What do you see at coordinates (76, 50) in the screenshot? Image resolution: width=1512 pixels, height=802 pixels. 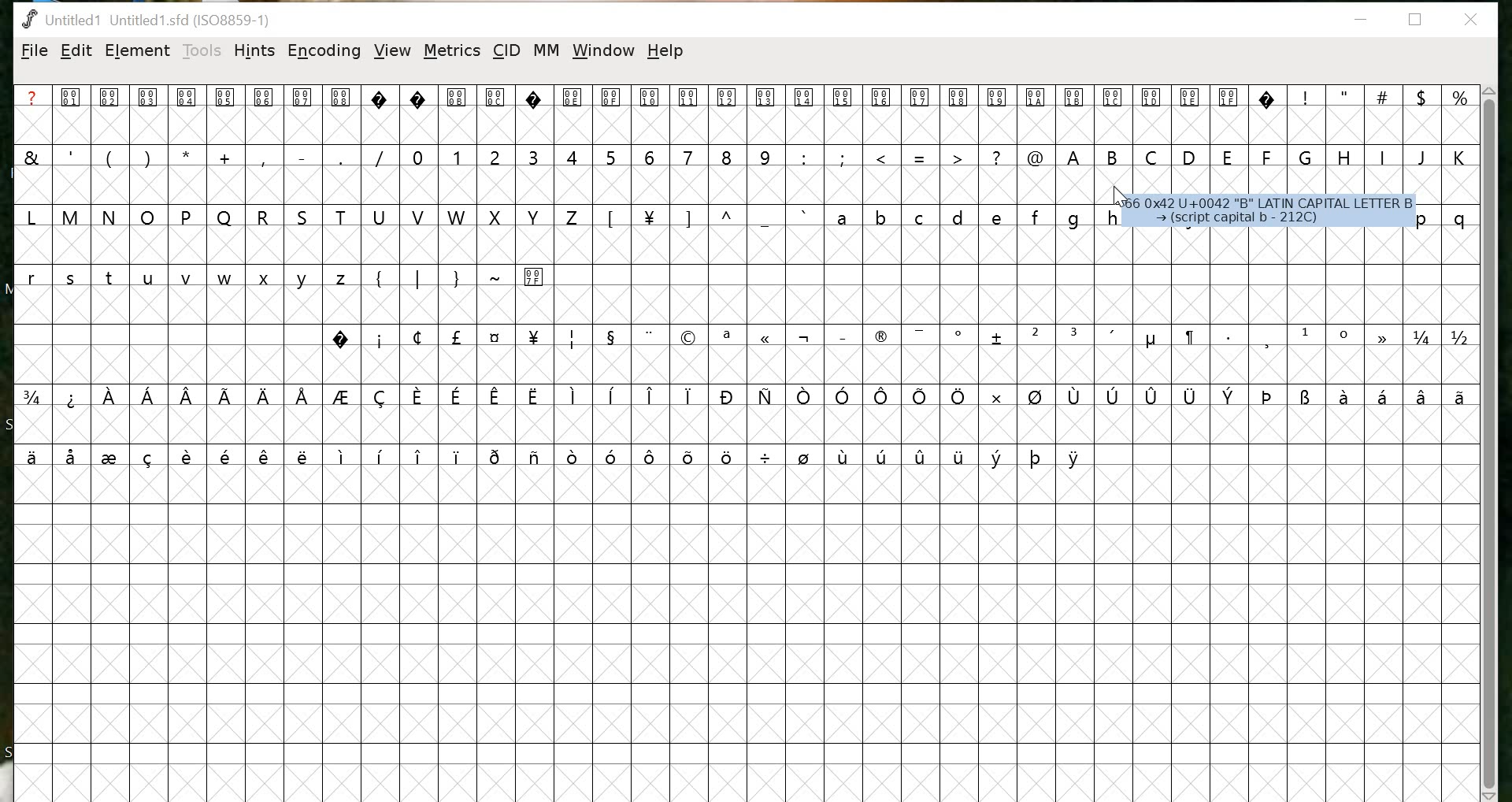 I see `EDIT` at bounding box center [76, 50].